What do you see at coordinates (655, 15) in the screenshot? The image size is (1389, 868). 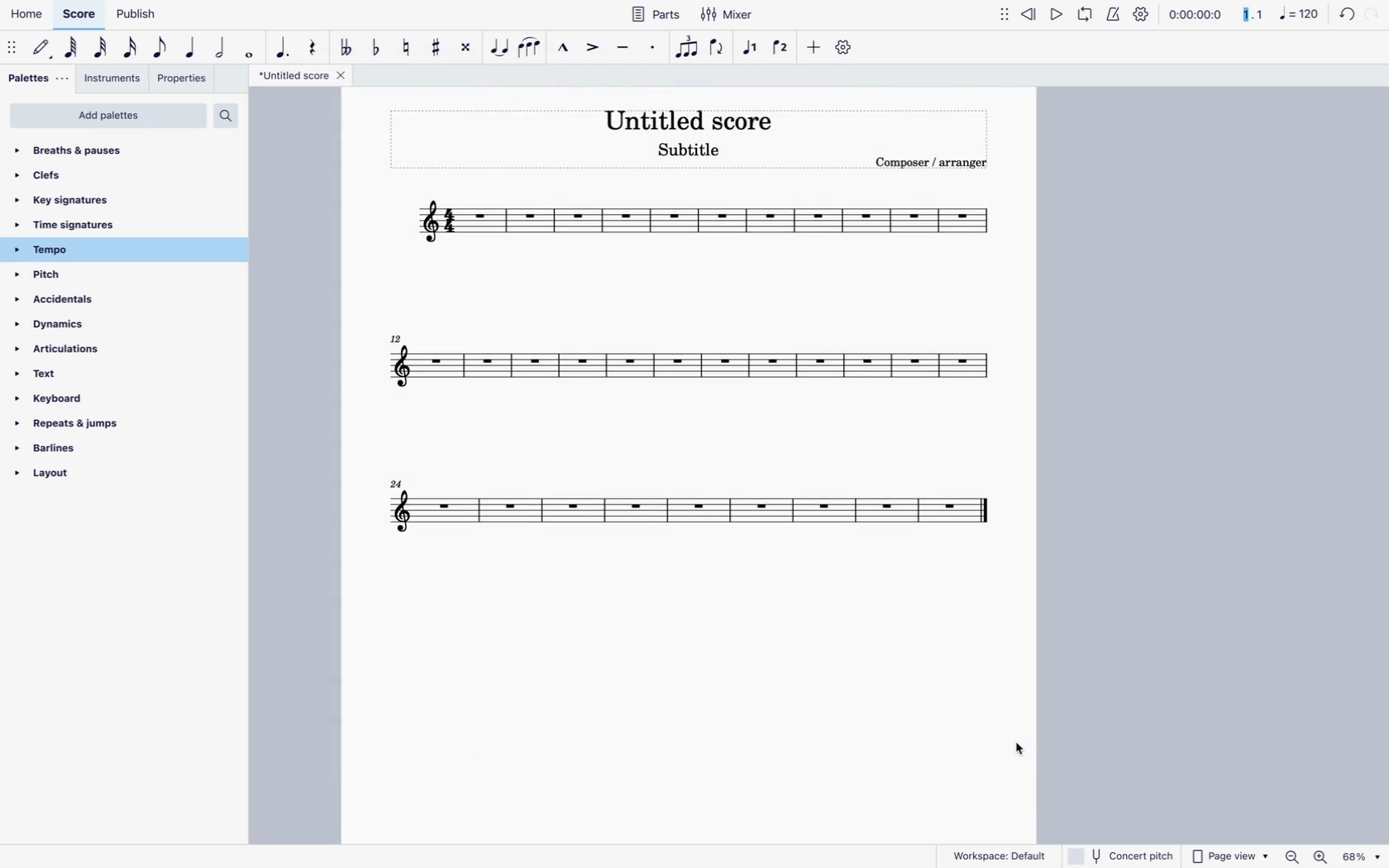 I see `Parts` at bounding box center [655, 15].